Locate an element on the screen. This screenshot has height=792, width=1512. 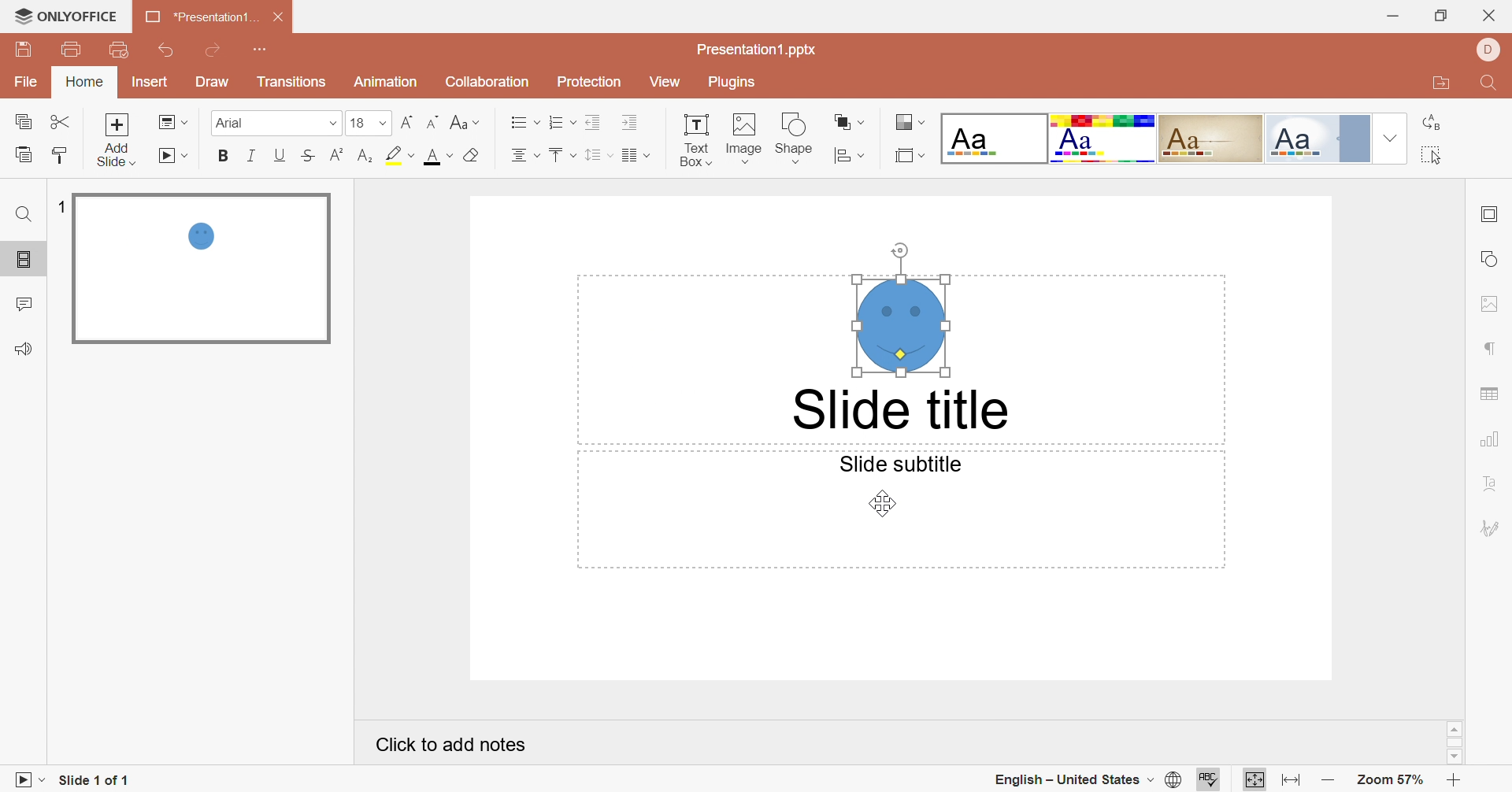
Draw is located at coordinates (213, 83).